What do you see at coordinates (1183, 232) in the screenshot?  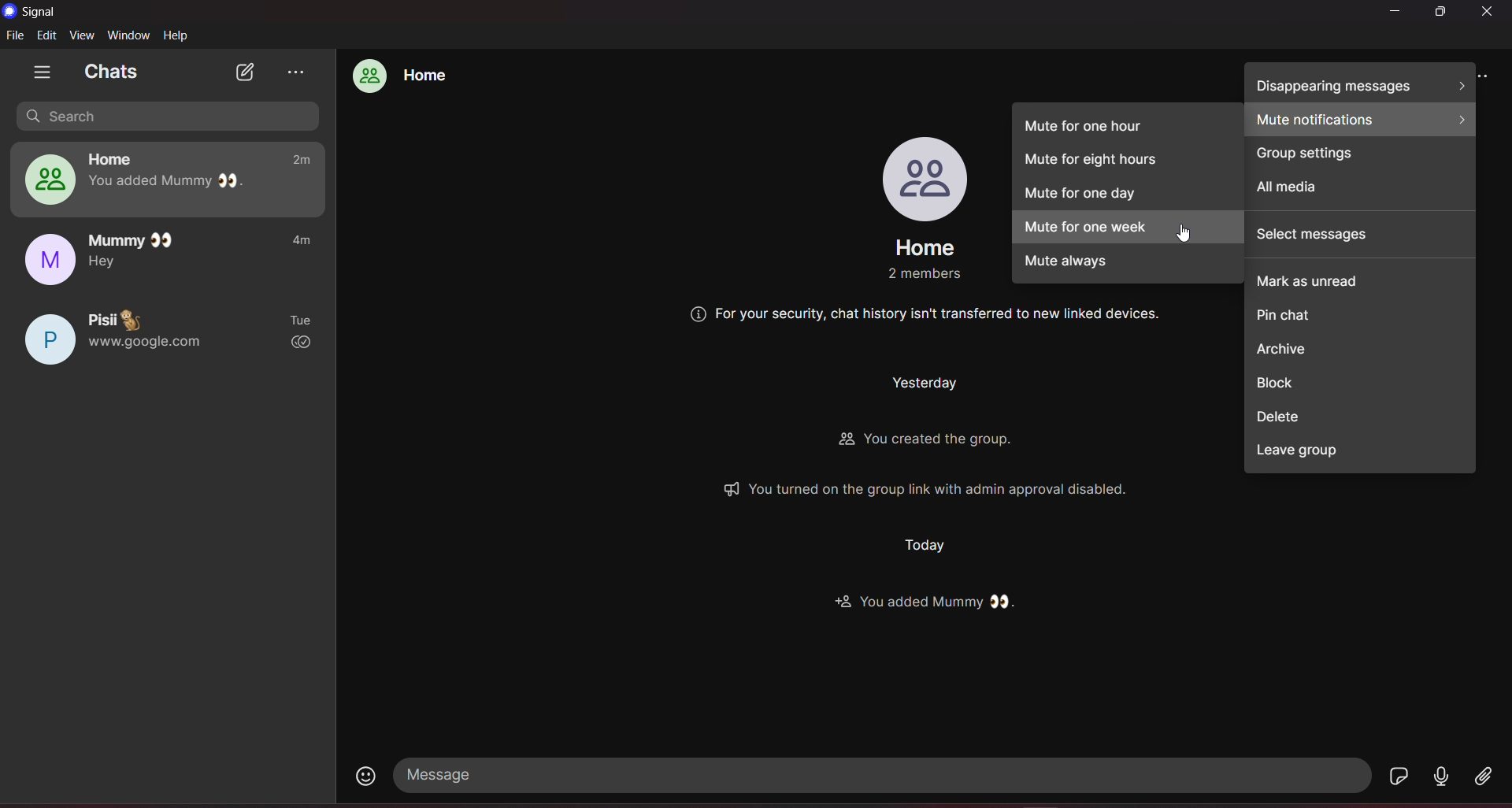 I see `Cursor` at bounding box center [1183, 232].